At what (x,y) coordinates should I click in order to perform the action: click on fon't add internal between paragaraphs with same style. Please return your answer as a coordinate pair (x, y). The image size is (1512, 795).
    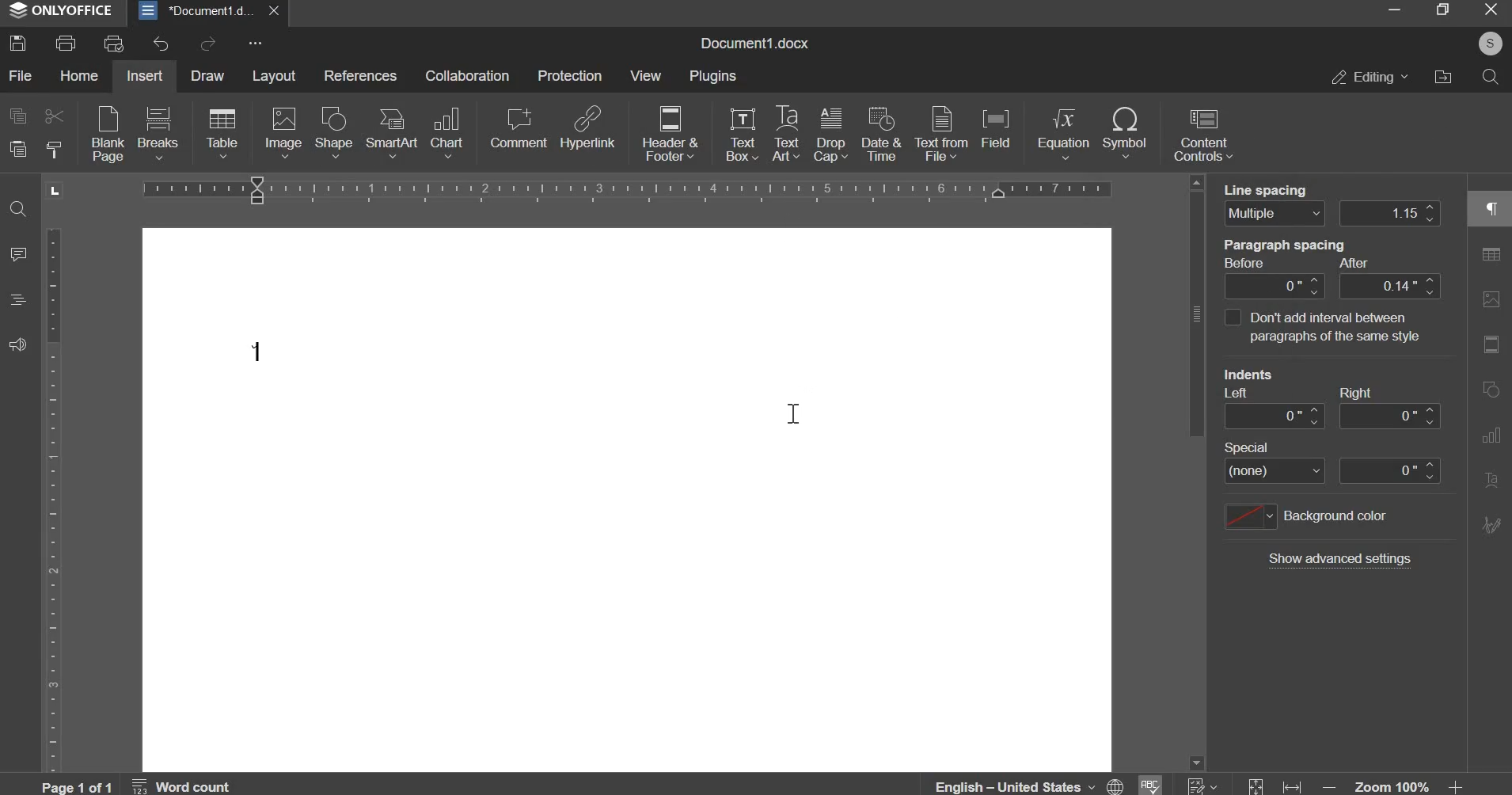
    Looking at the image, I should click on (1350, 328).